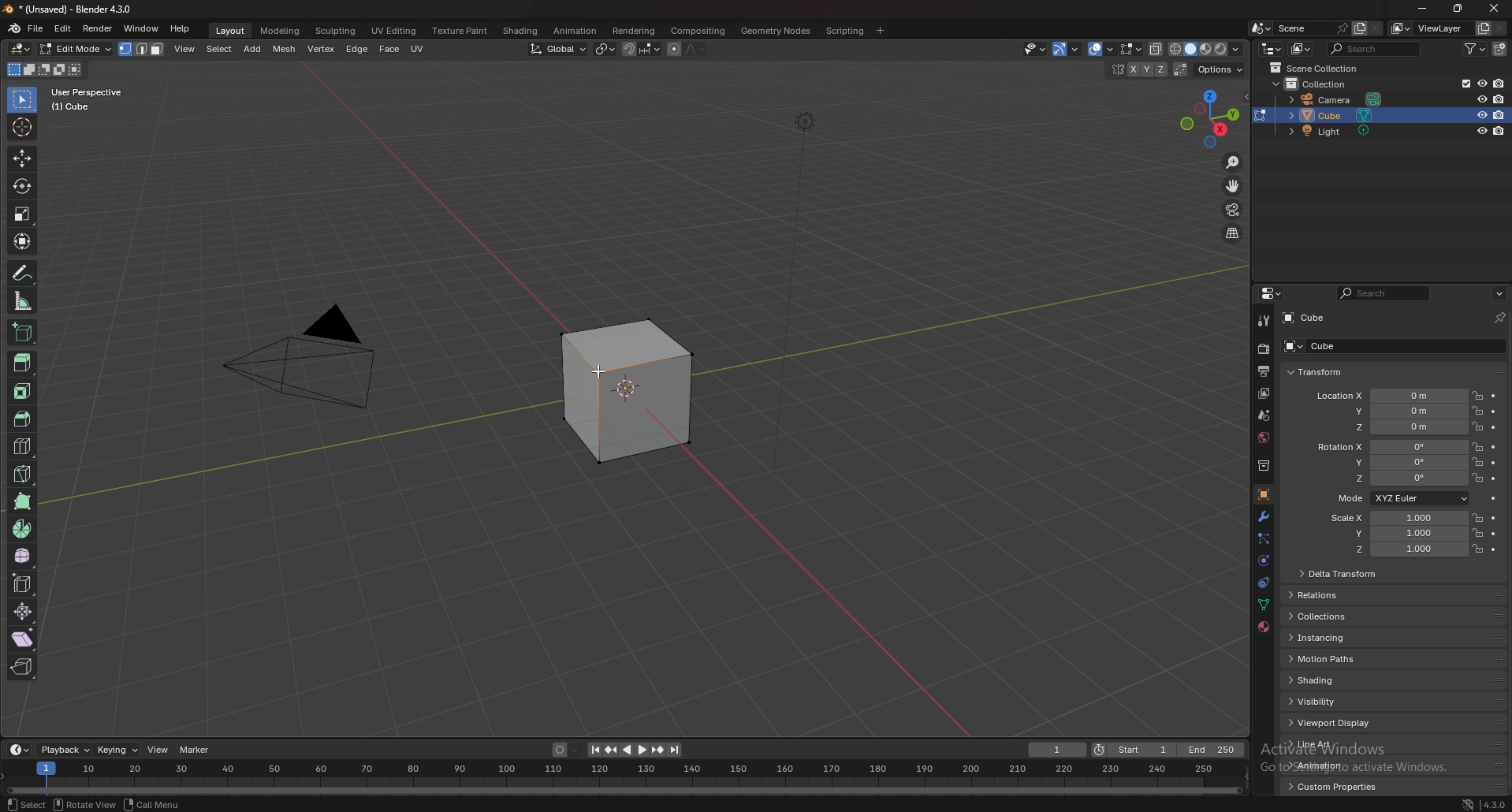  Describe the element at coordinates (1494, 463) in the screenshot. I see `animate property` at that location.